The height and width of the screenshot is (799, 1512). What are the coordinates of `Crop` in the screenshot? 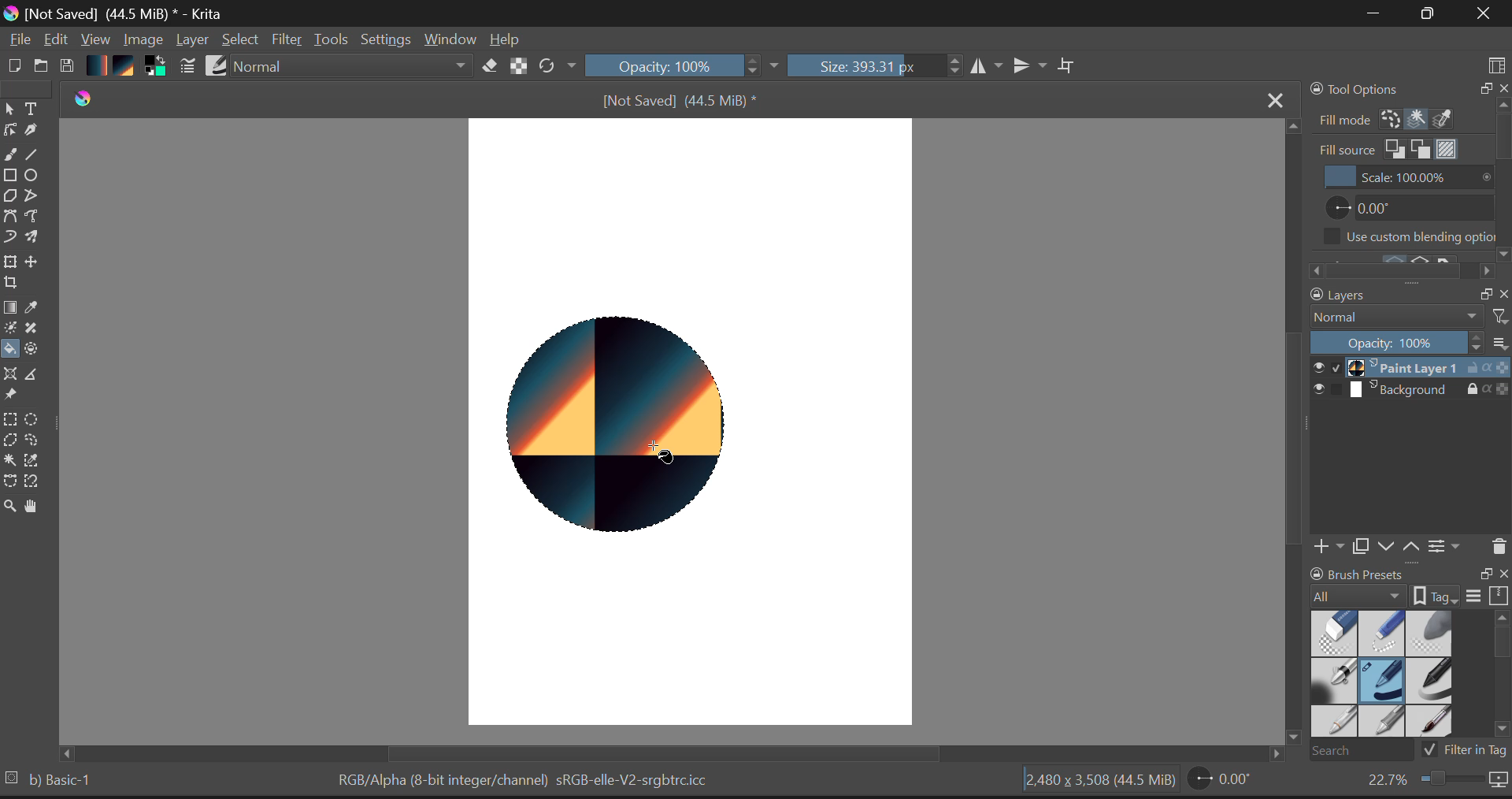 It's located at (9, 287).